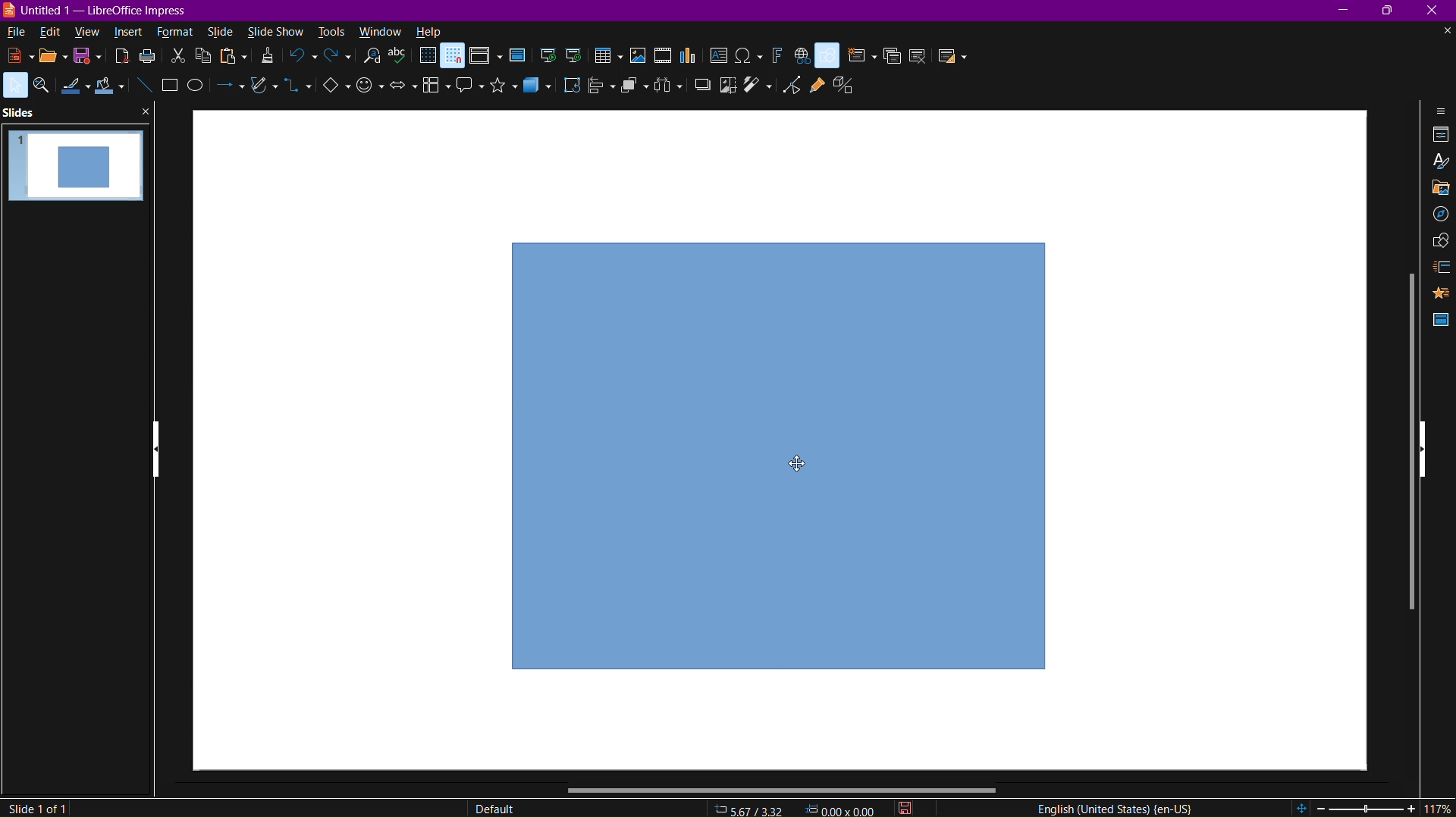  What do you see at coordinates (798, 463) in the screenshot?
I see `cursor` at bounding box center [798, 463].